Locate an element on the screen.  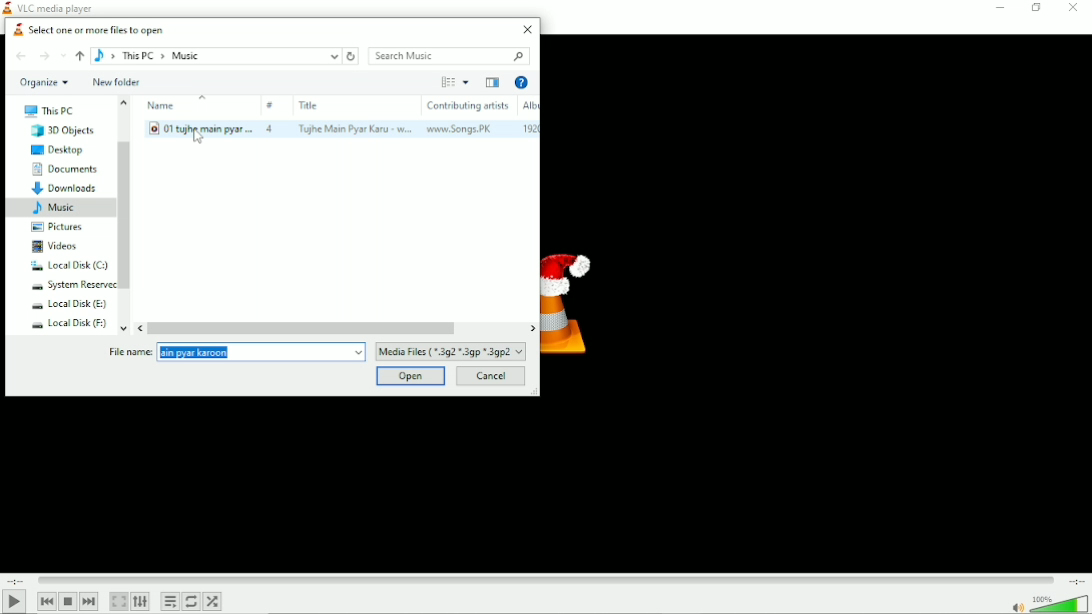
3D Objects is located at coordinates (59, 131).